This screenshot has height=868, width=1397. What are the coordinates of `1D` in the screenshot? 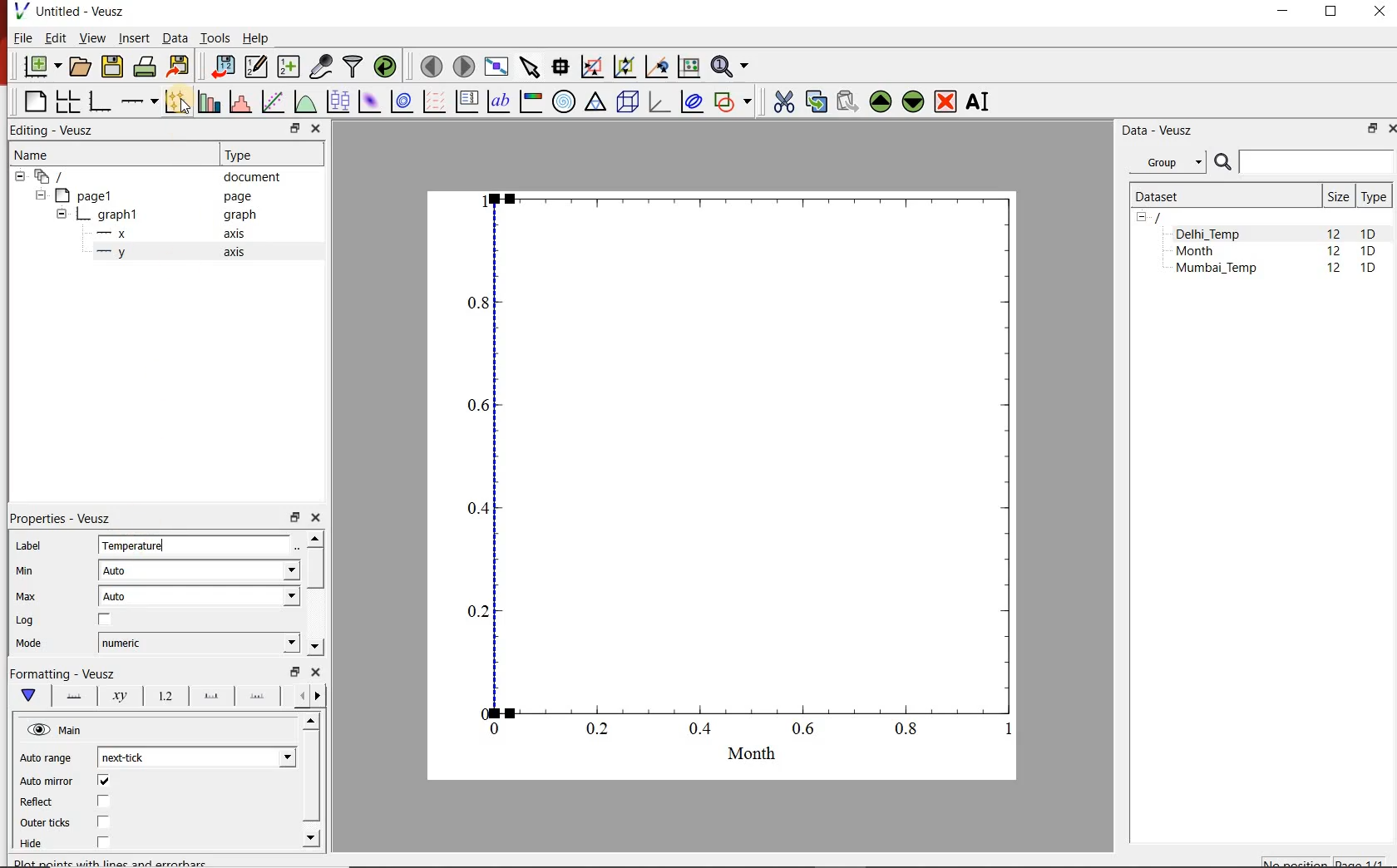 It's located at (1368, 252).